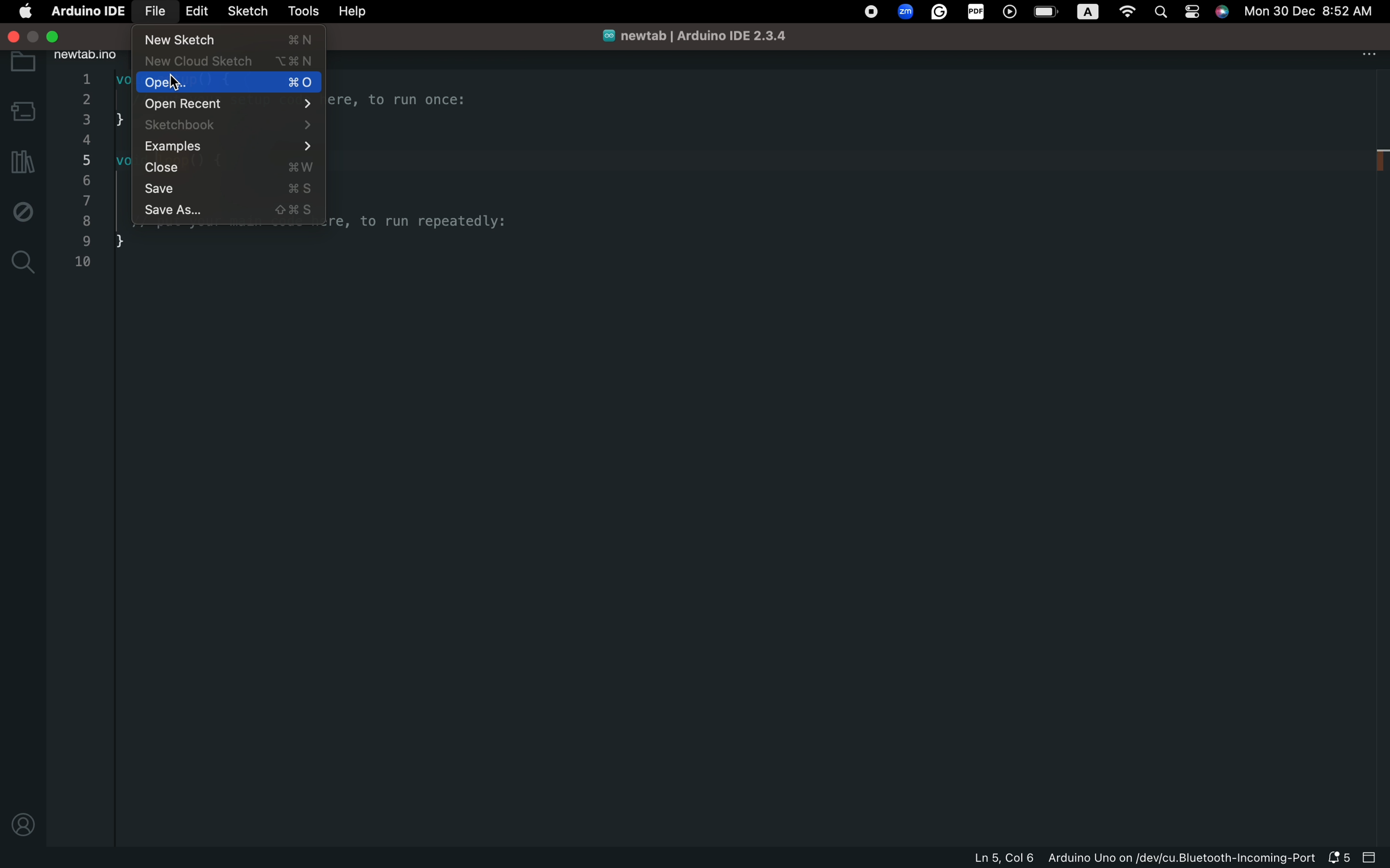 The image size is (1390, 868). I want to click on save as, so click(228, 210).